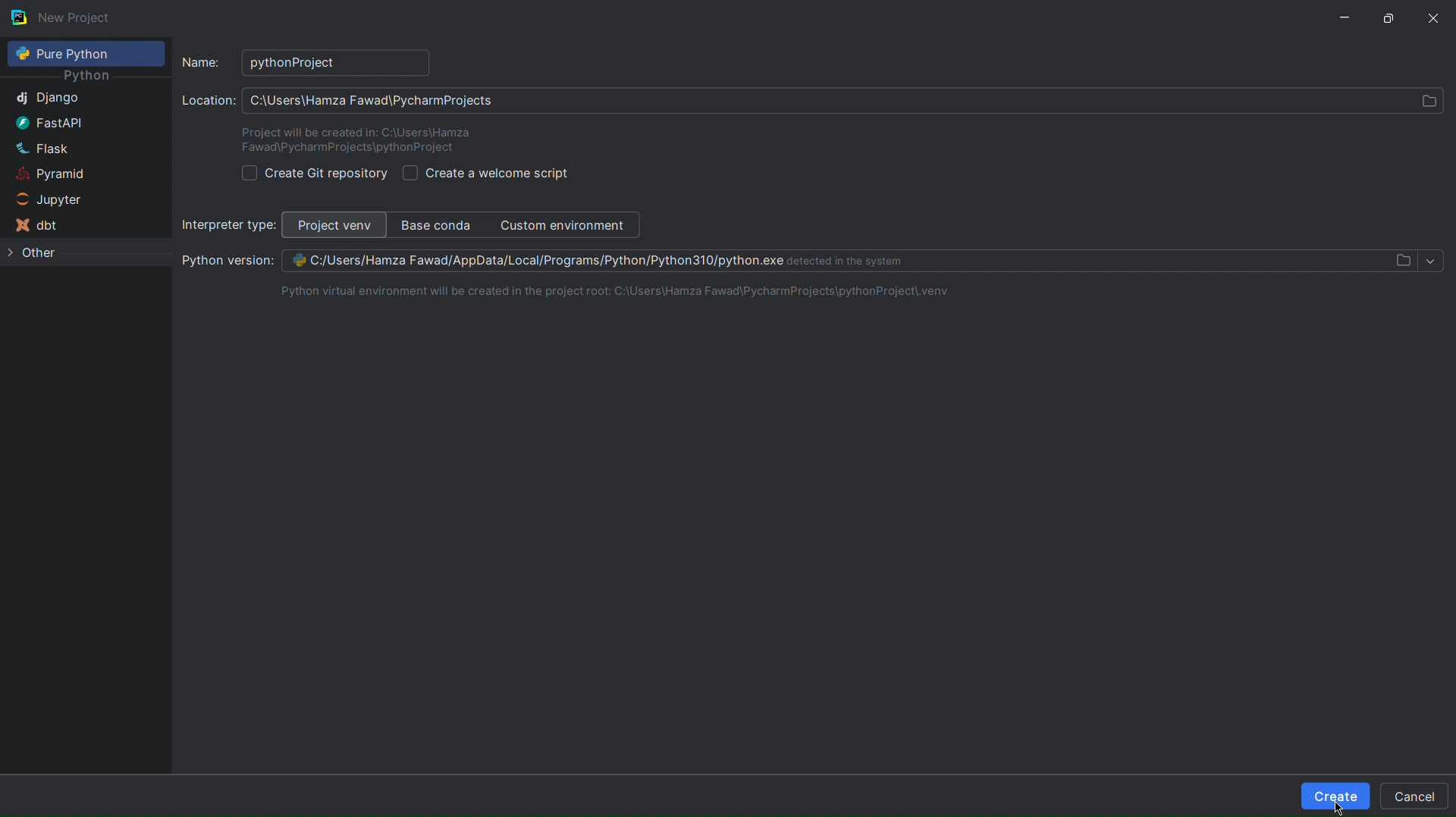  What do you see at coordinates (333, 63) in the screenshot?
I see `pythonProject` at bounding box center [333, 63].